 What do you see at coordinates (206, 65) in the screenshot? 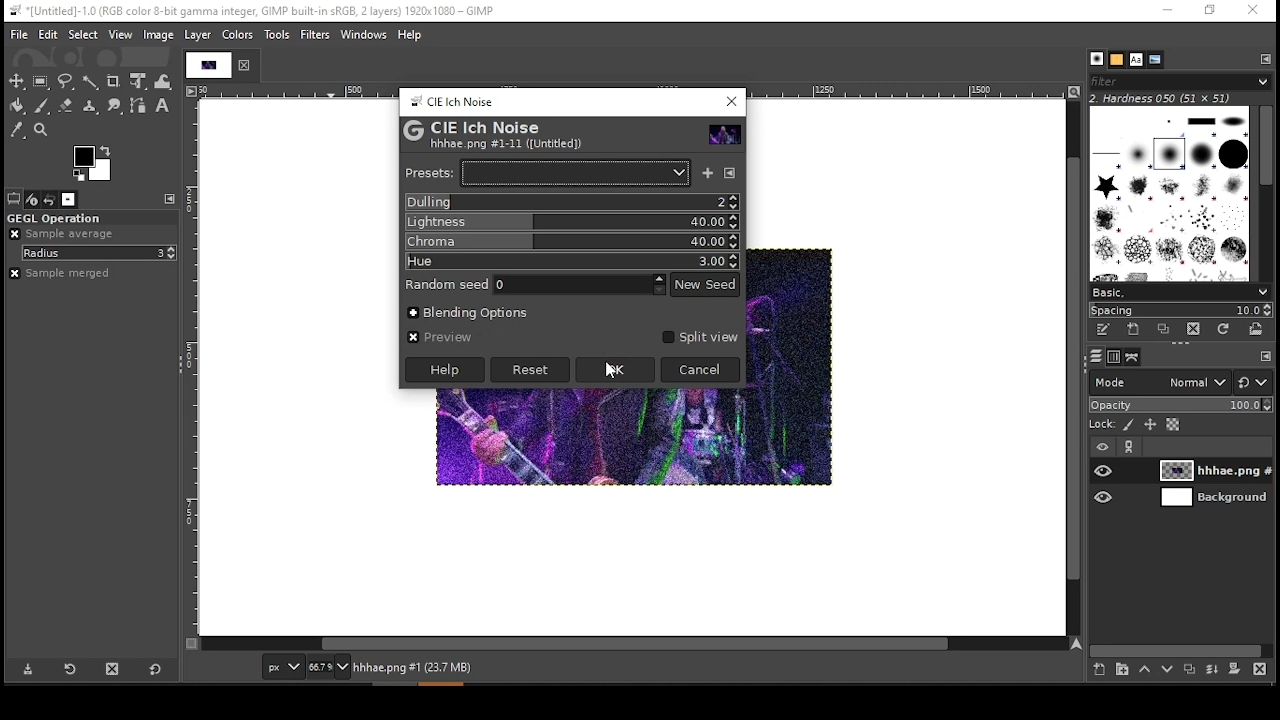
I see `tab` at bounding box center [206, 65].